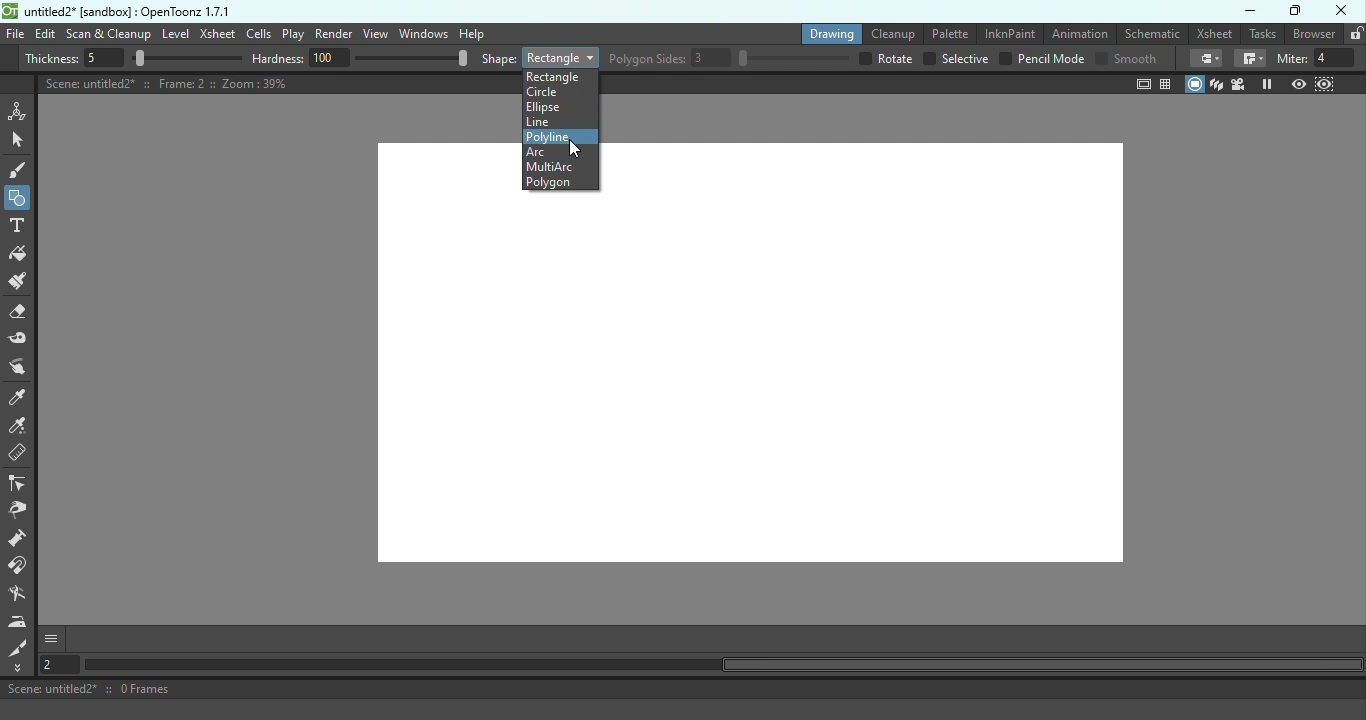  Describe the element at coordinates (23, 367) in the screenshot. I see `Pinch tool` at that location.